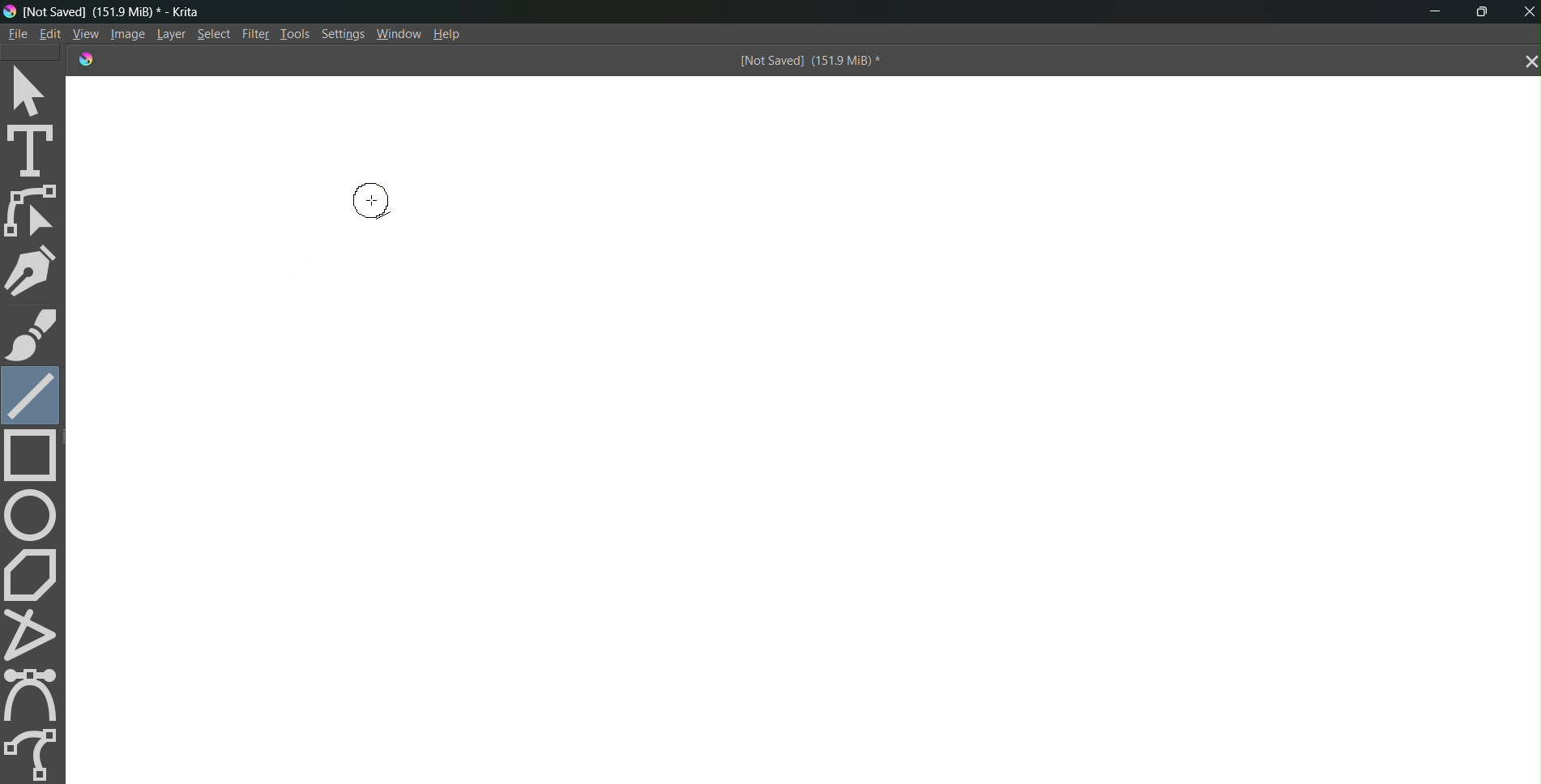 The width and height of the screenshot is (1541, 784). What do you see at coordinates (34, 573) in the screenshot?
I see `polygon` at bounding box center [34, 573].